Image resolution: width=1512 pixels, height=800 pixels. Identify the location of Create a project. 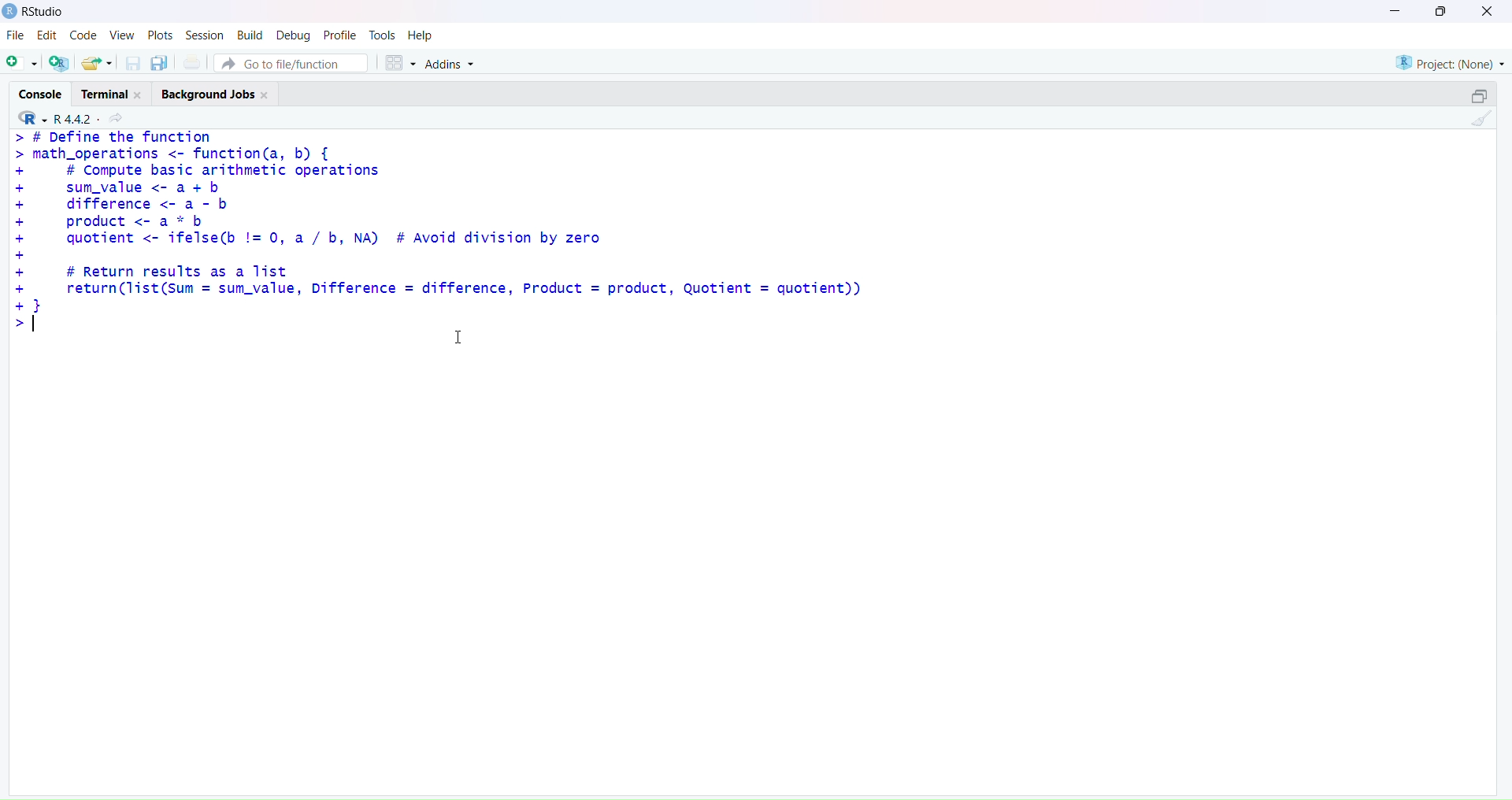
(57, 61).